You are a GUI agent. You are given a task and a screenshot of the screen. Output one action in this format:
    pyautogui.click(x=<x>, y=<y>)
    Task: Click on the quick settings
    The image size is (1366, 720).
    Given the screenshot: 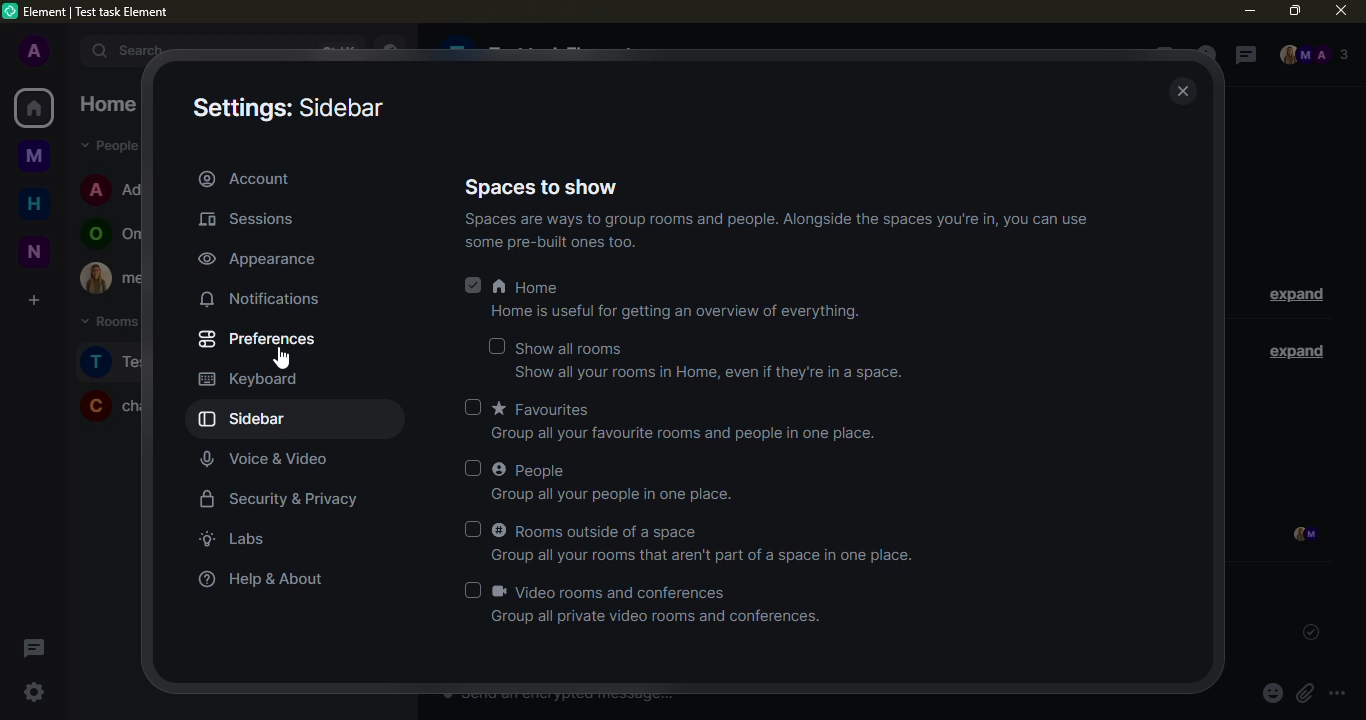 What is the action you would take?
    pyautogui.click(x=34, y=692)
    